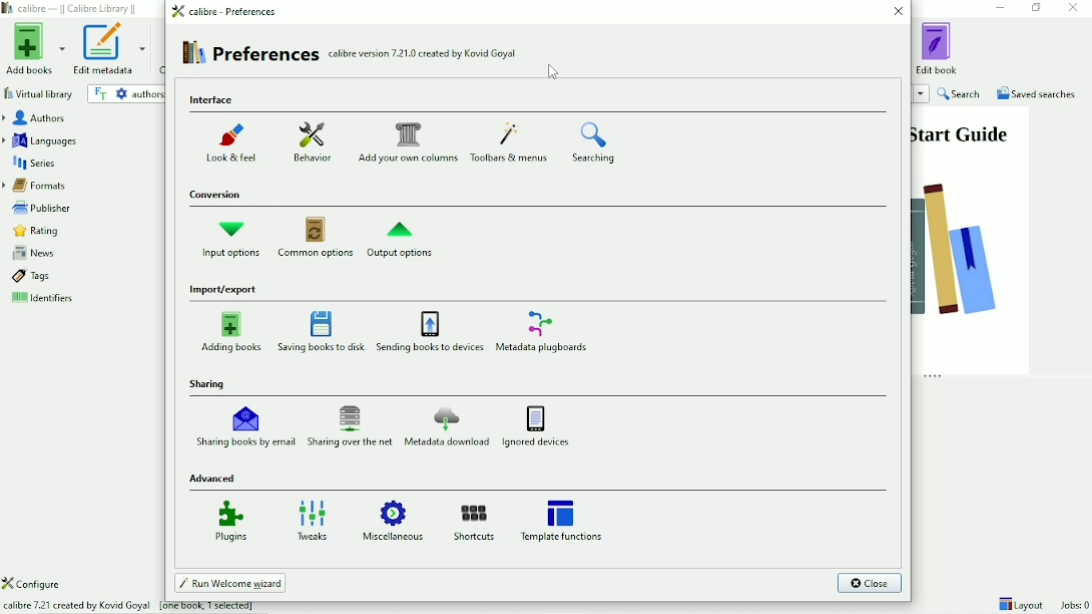  I want to click on Identifiers, so click(77, 299).